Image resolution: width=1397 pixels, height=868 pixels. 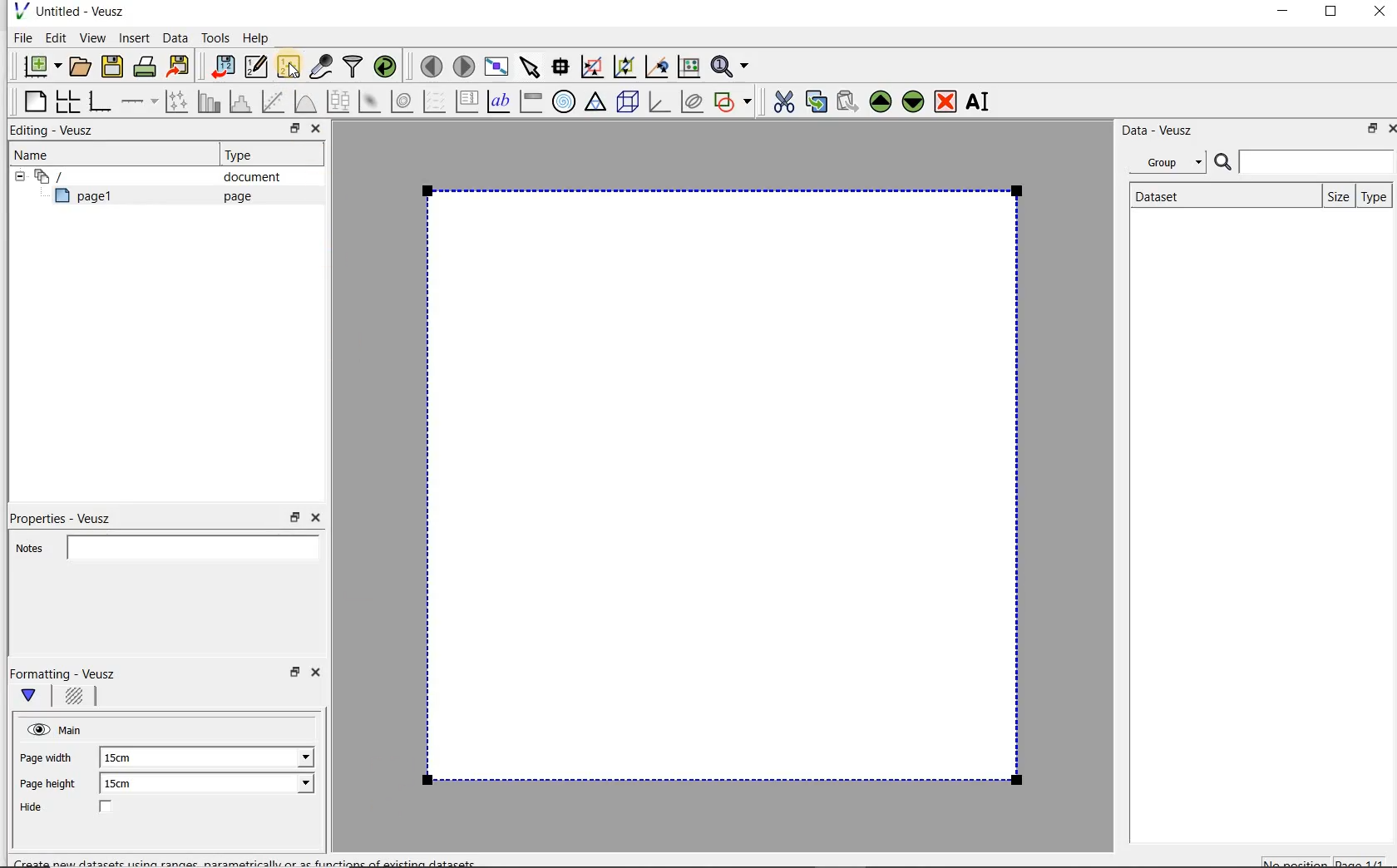 What do you see at coordinates (67, 10) in the screenshot?
I see `Untitled - Veusz` at bounding box center [67, 10].